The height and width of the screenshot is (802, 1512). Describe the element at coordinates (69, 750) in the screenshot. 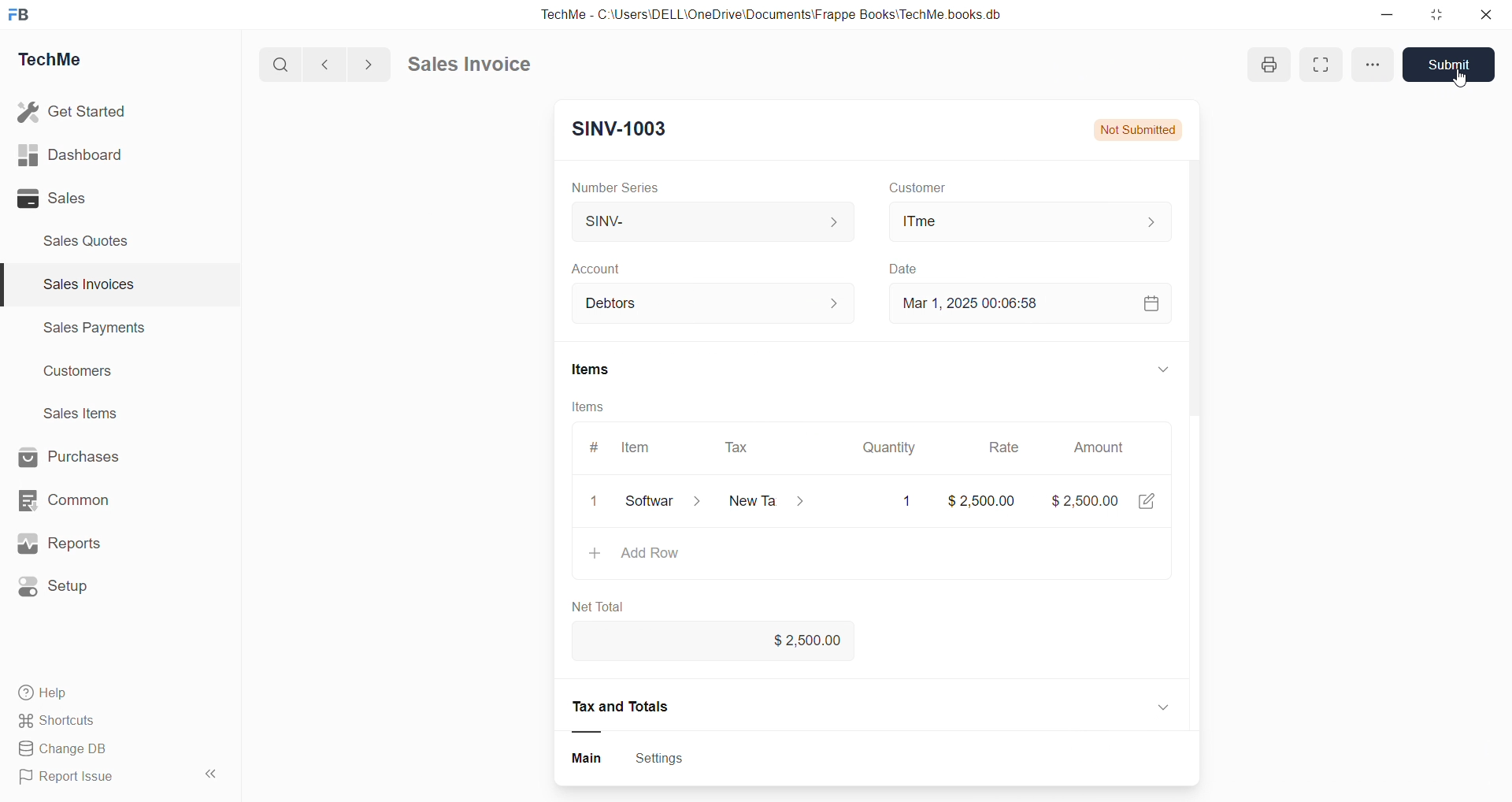

I see `B& Change DB` at that location.